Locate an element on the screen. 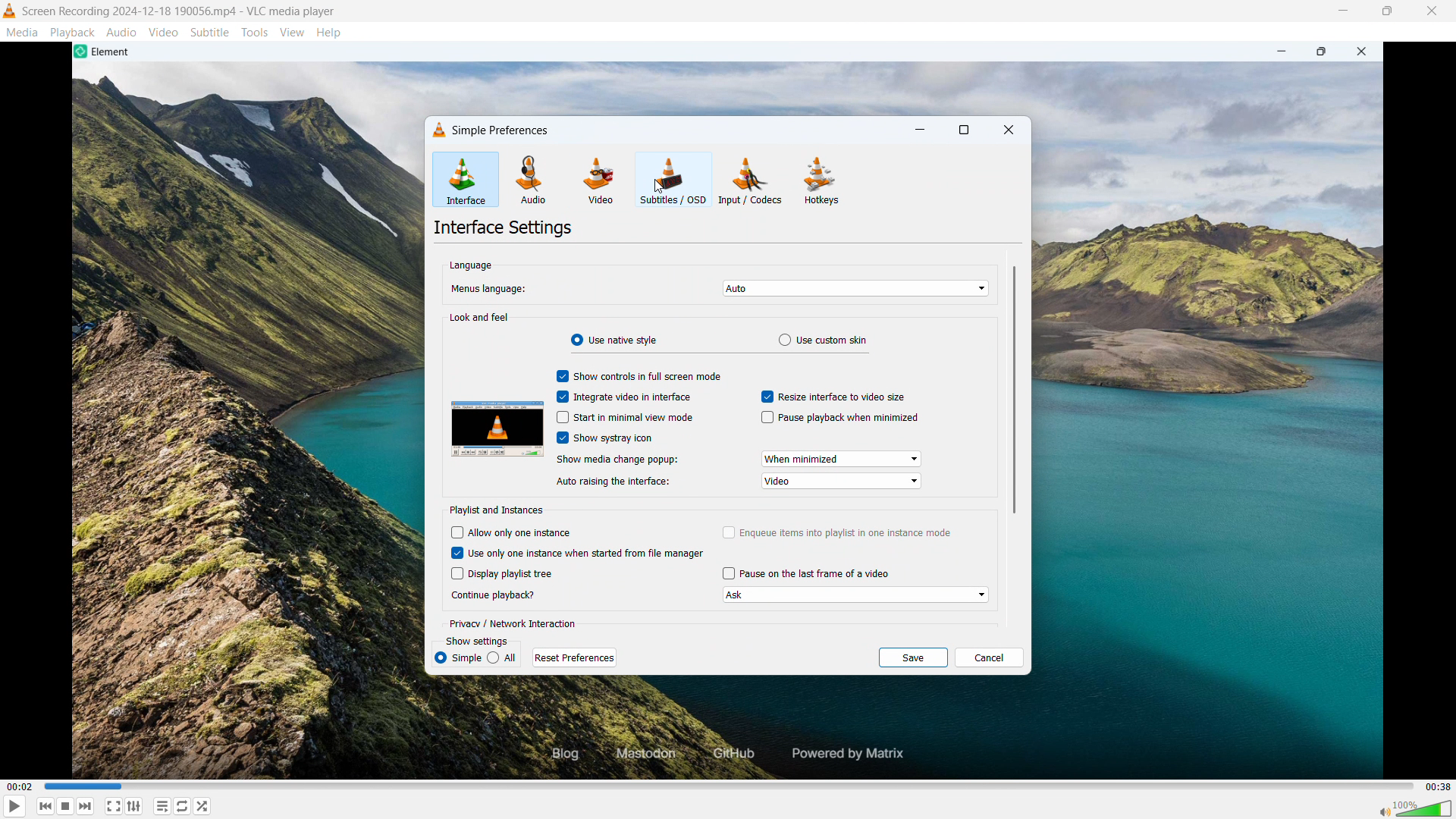 This screenshot has width=1456, height=819. Close dialogue box  is located at coordinates (1009, 130).